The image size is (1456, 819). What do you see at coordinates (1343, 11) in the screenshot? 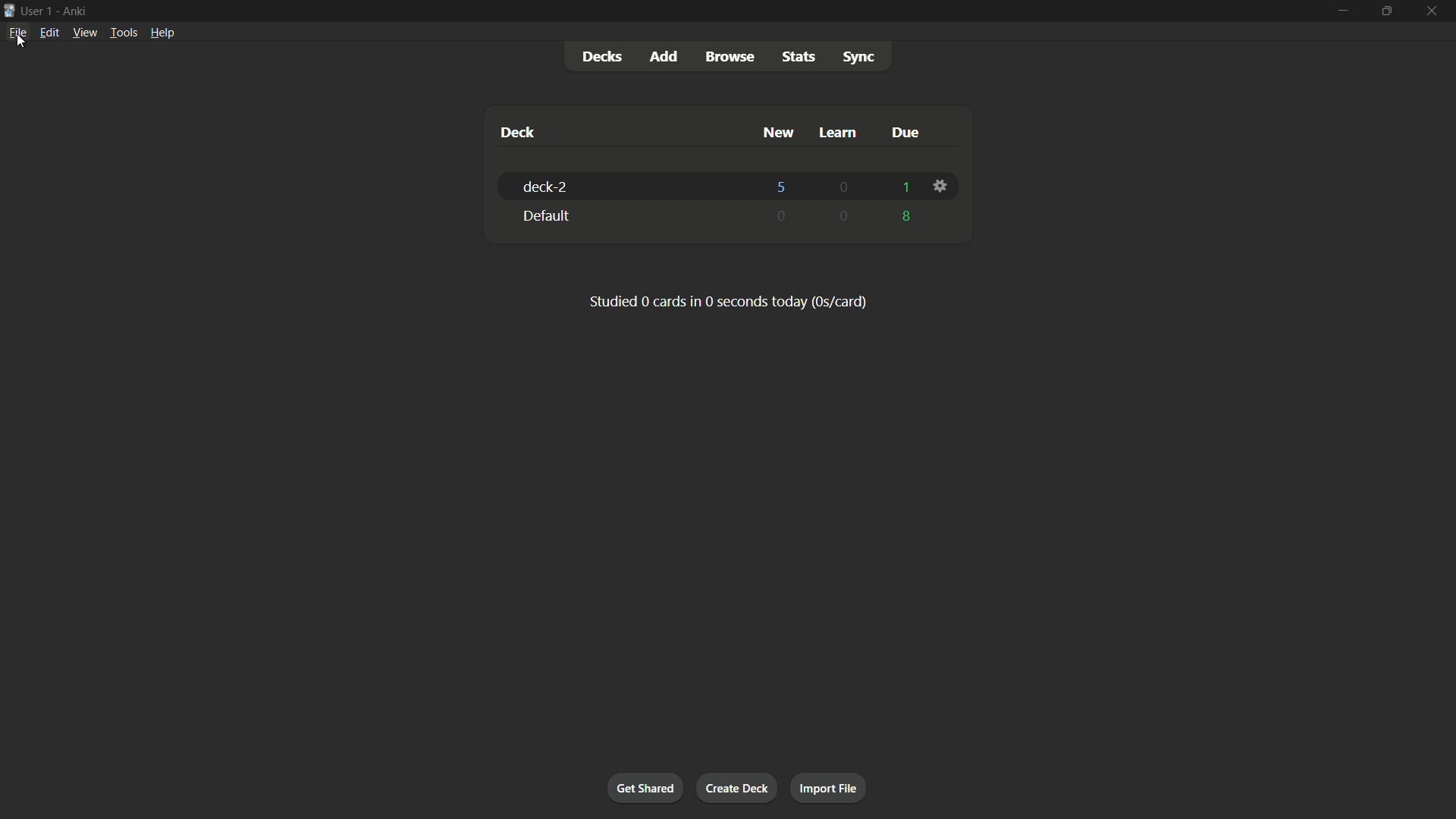
I see `minimize` at bounding box center [1343, 11].